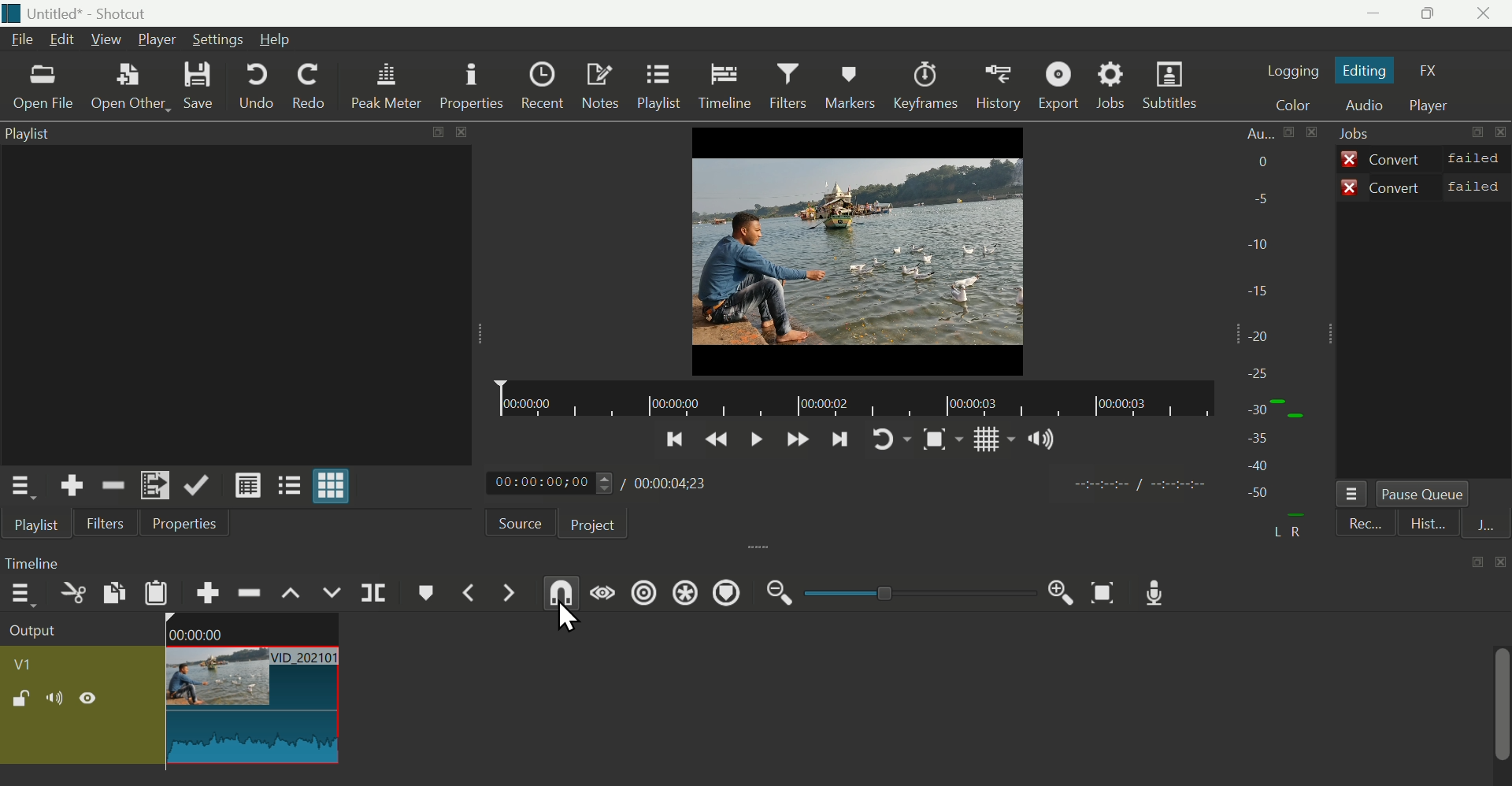 This screenshot has width=1512, height=786. What do you see at coordinates (999, 87) in the screenshot?
I see `History` at bounding box center [999, 87].